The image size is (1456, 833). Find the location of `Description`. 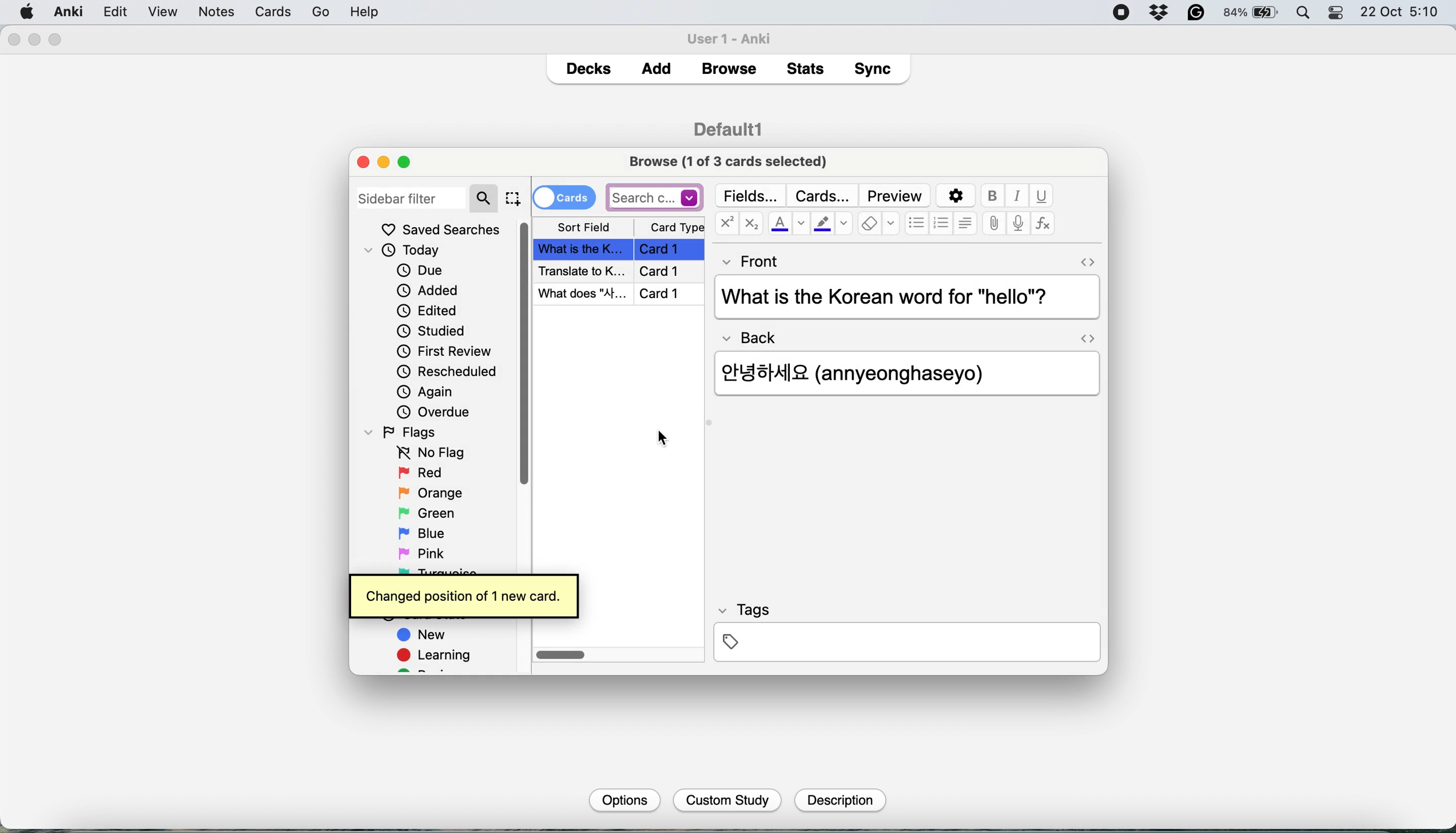

Description is located at coordinates (838, 800).